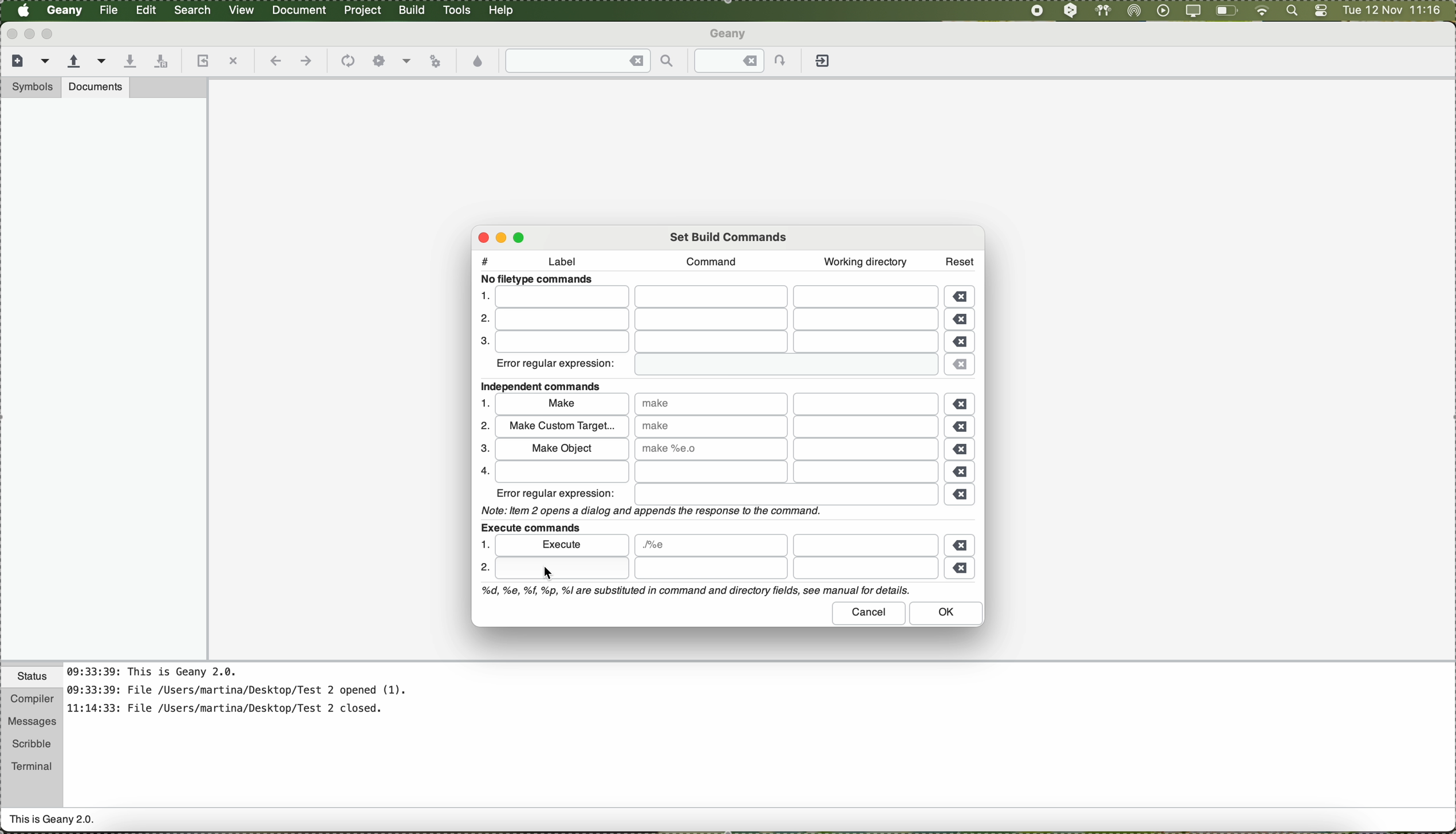 This screenshot has width=1456, height=834. I want to click on maximize, so click(50, 34).